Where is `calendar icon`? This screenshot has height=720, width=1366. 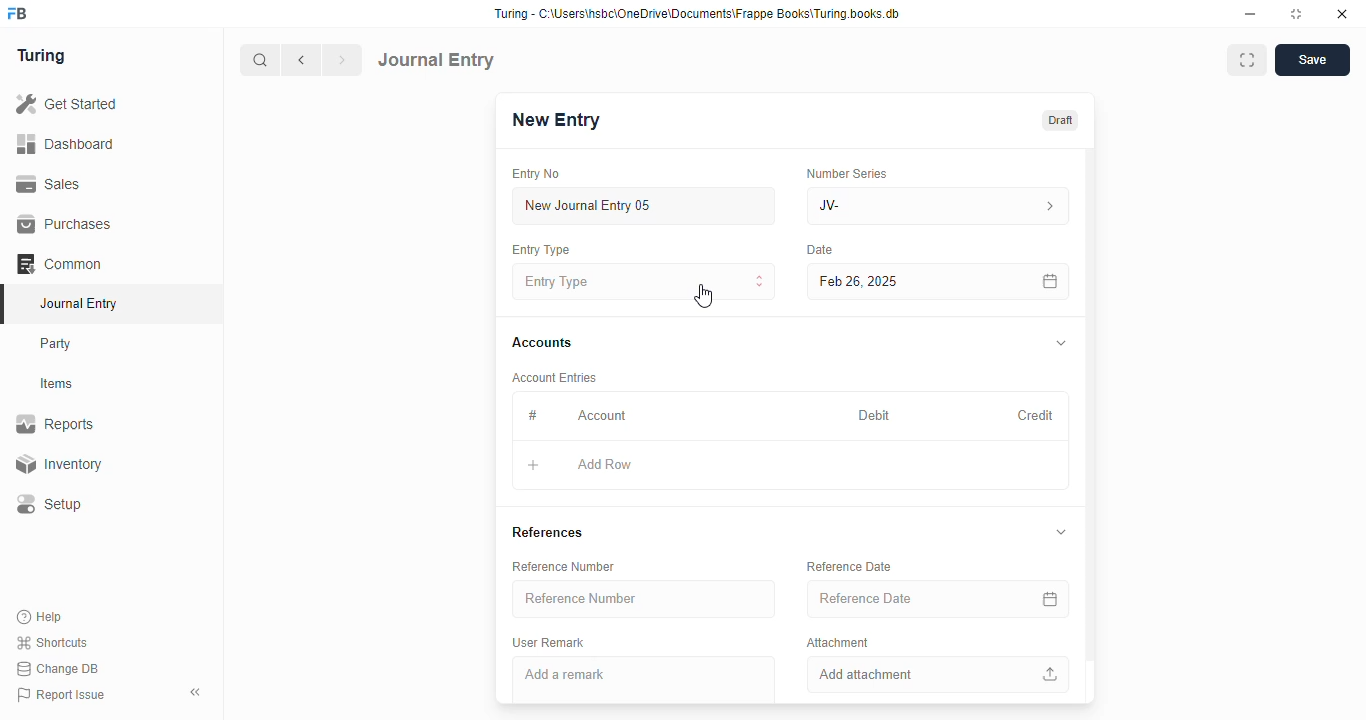
calendar icon is located at coordinates (1049, 281).